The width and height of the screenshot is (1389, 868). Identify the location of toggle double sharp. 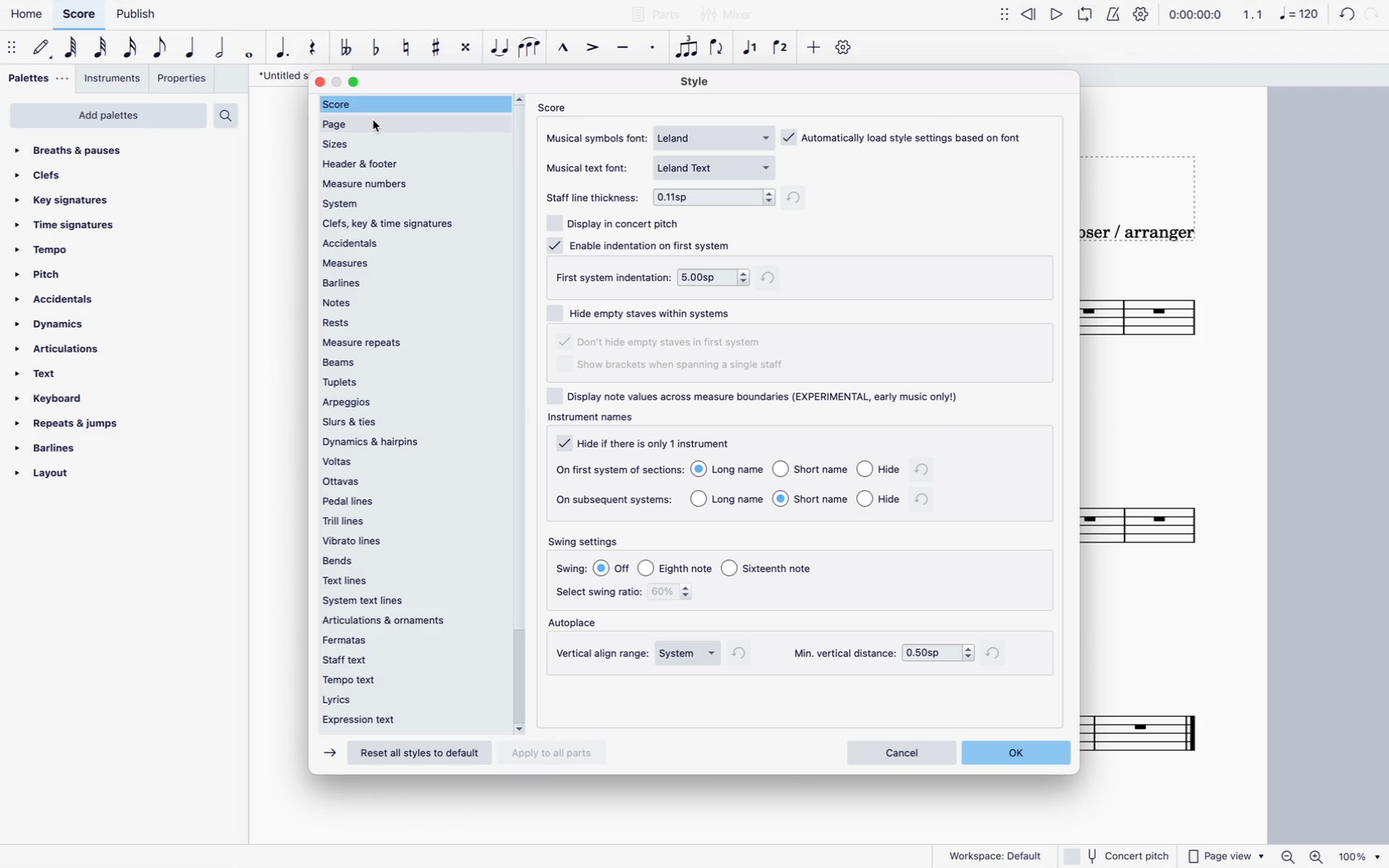
(465, 49).